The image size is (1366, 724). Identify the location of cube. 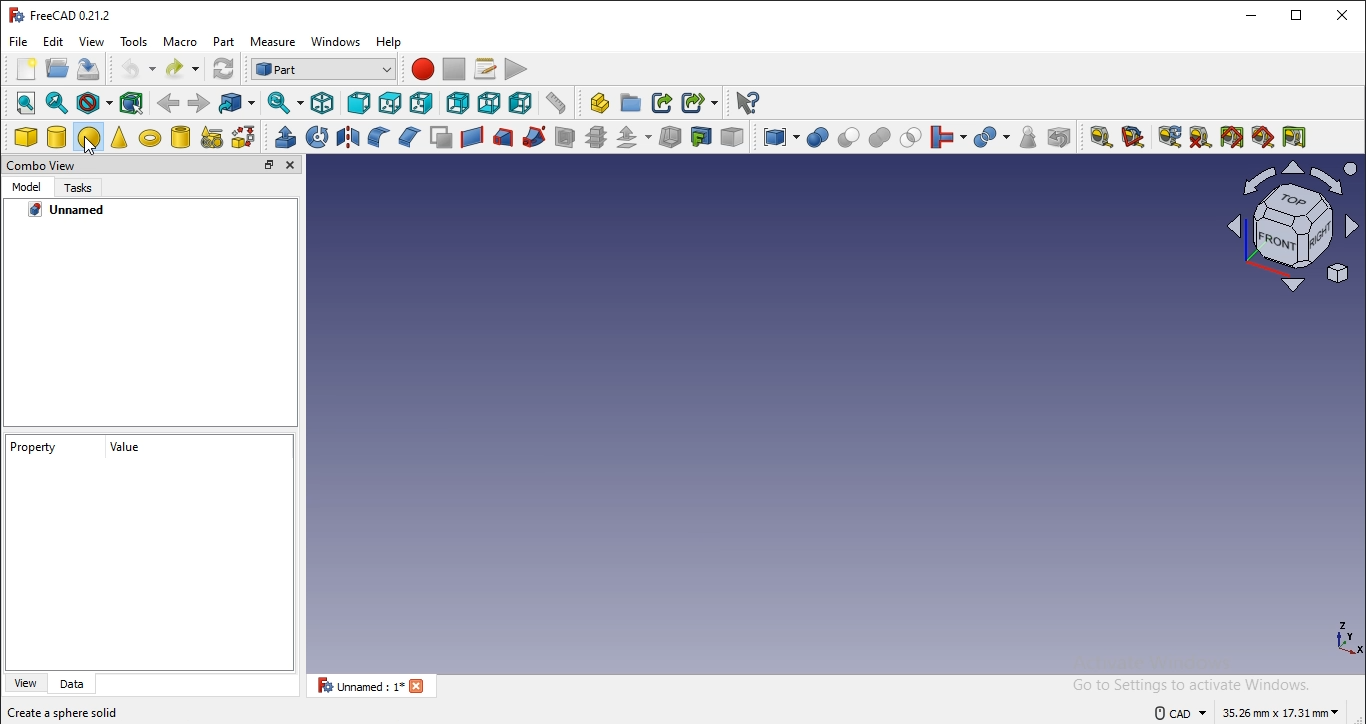
(24, 136).